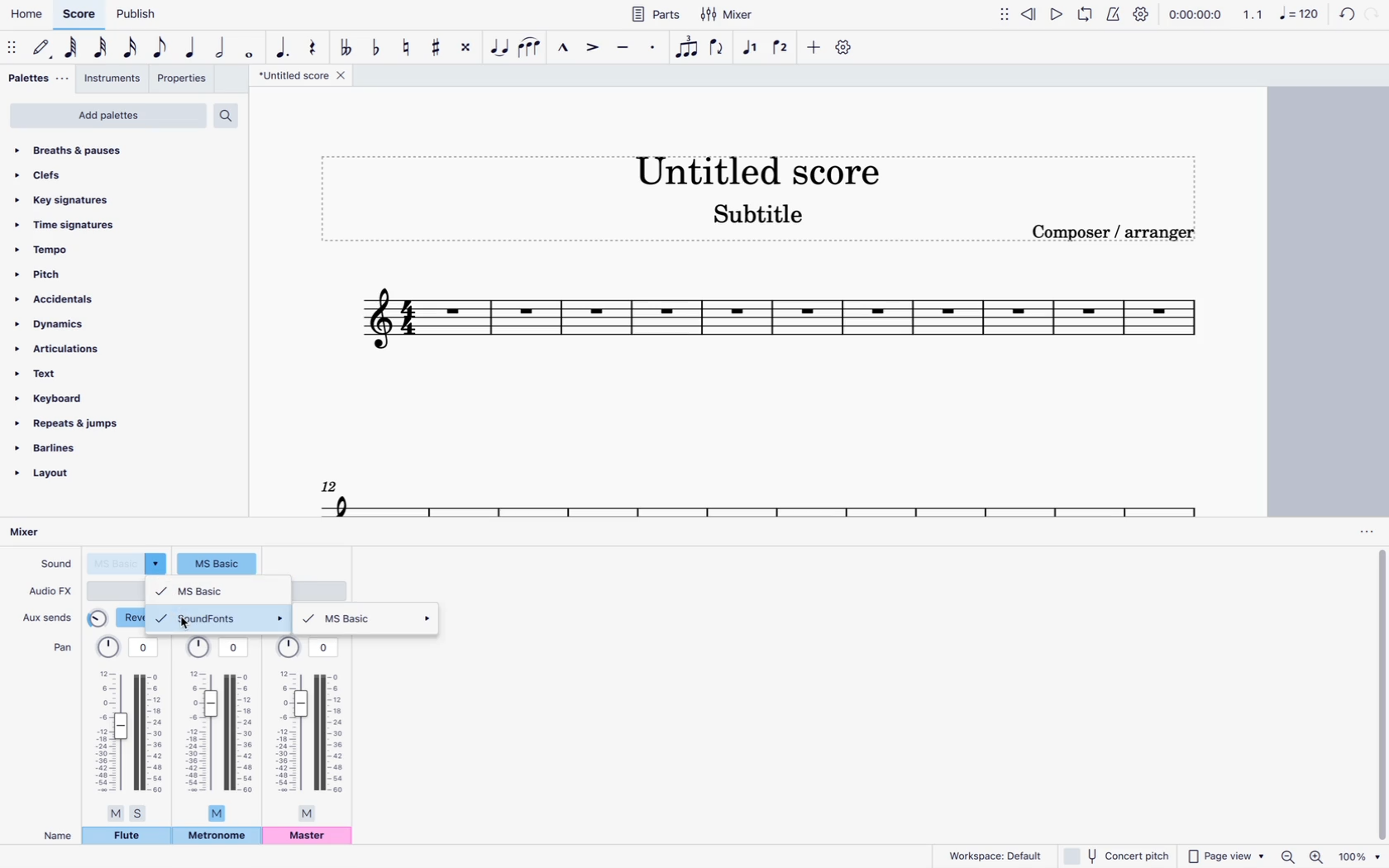 The image size is (1389, 868). Describe the element at coordinates (1005, 13) in the screenshot. I see `move` at that location.